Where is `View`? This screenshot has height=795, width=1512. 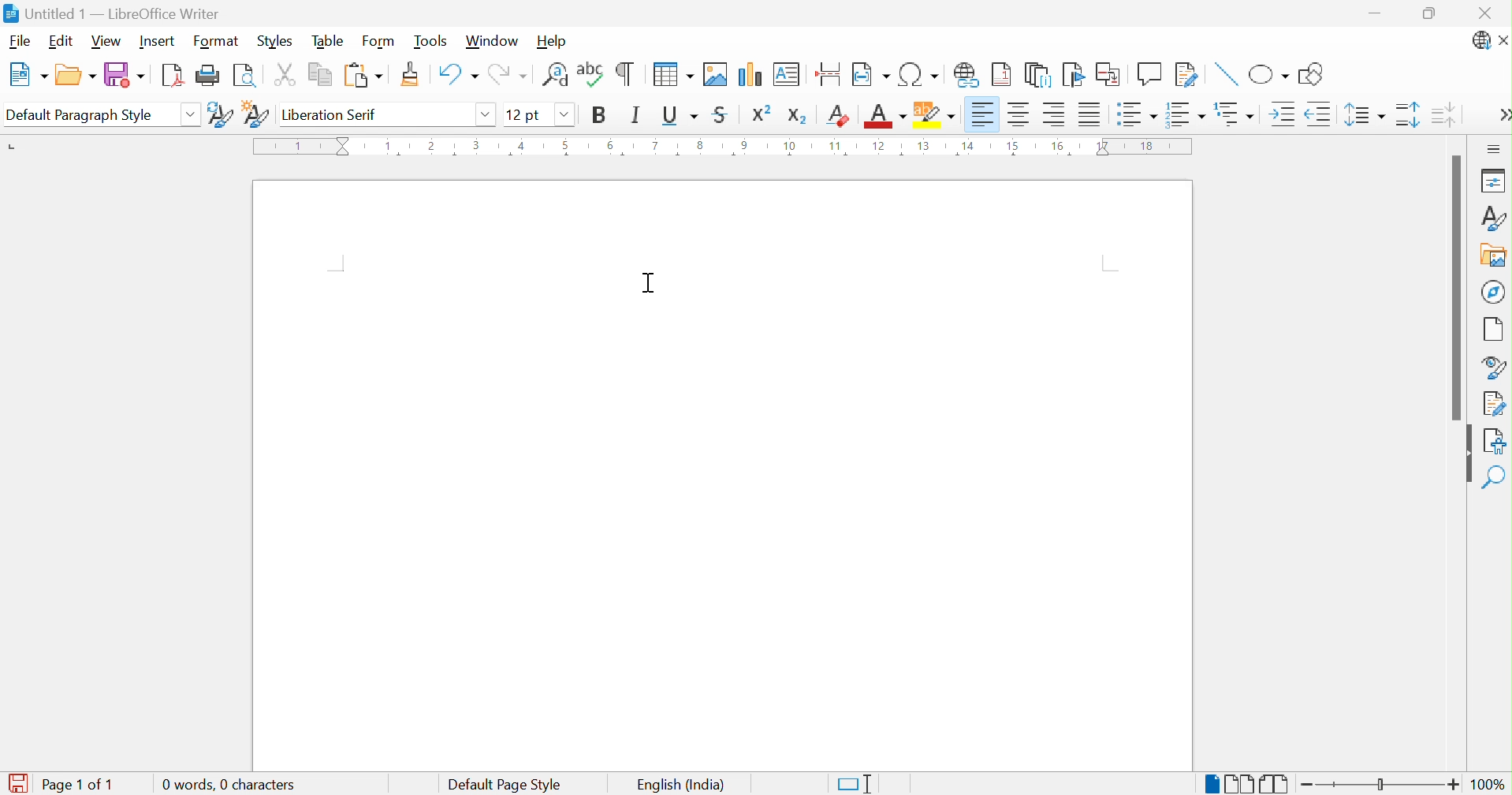 View is located at coordinates (108, 43).